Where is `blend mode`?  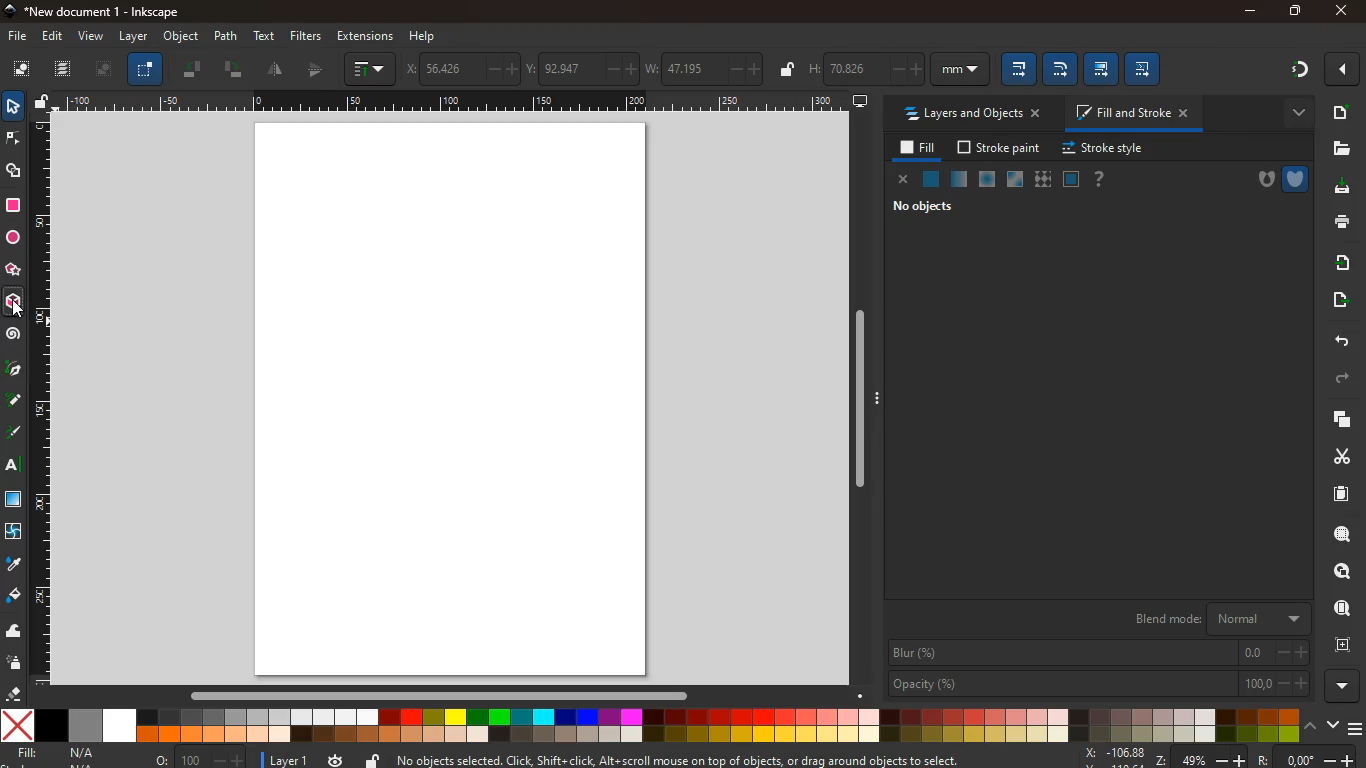
blend mode is located at coordinates (1214, 619).